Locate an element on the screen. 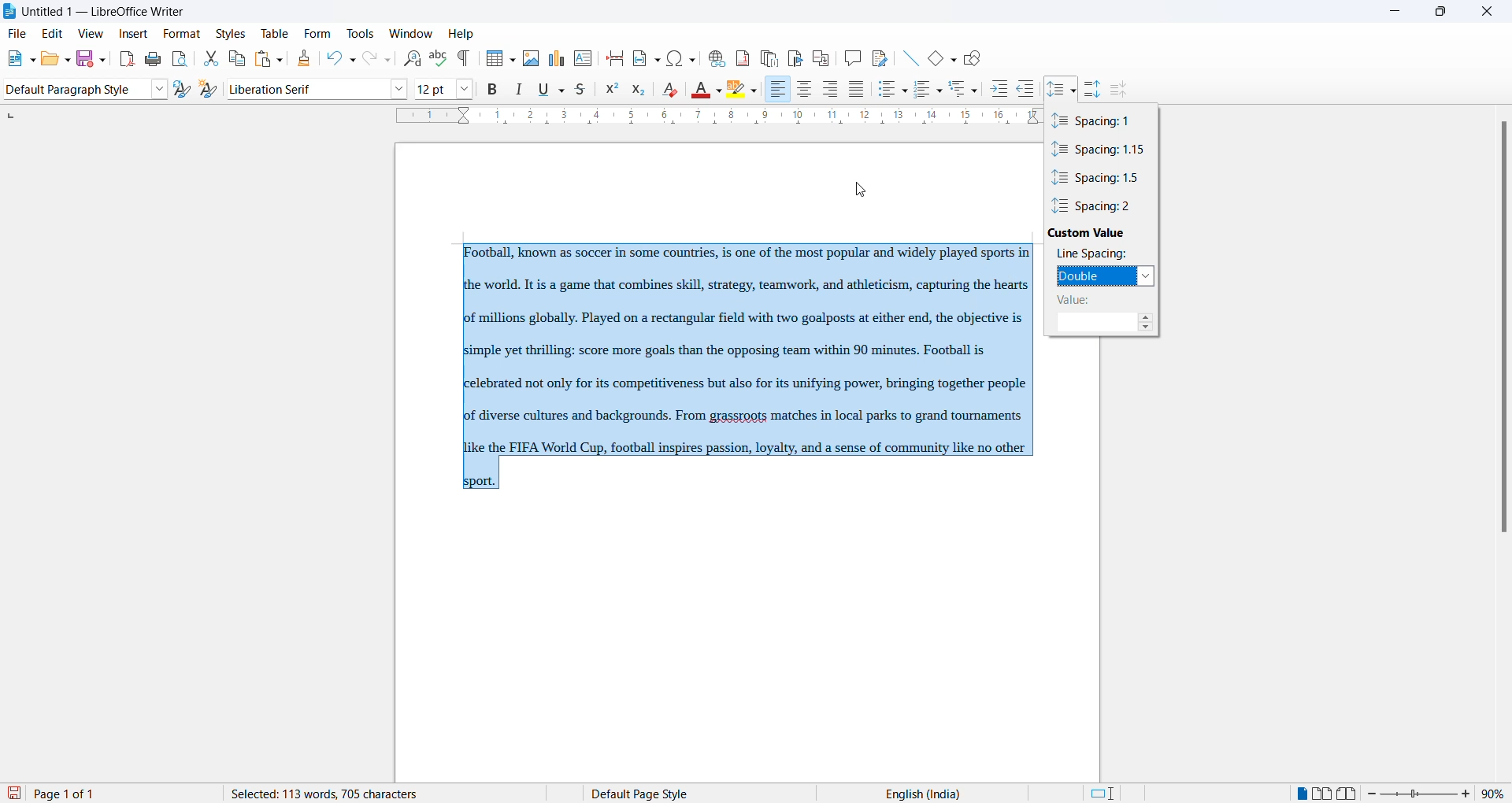 The width and height of the screenshot is (1512, 803). line spacing option dropdown is located at coordinates (1073, 91).